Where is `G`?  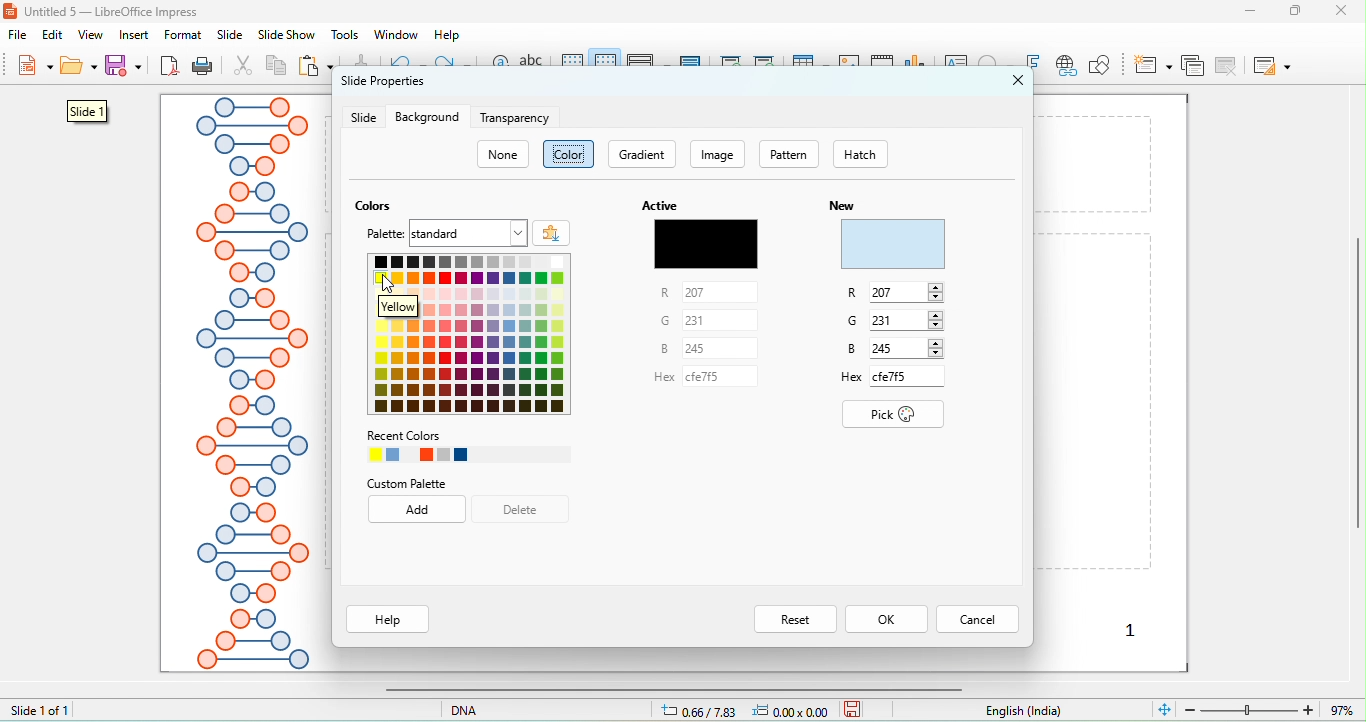
G is located at coordinates (695, 320).